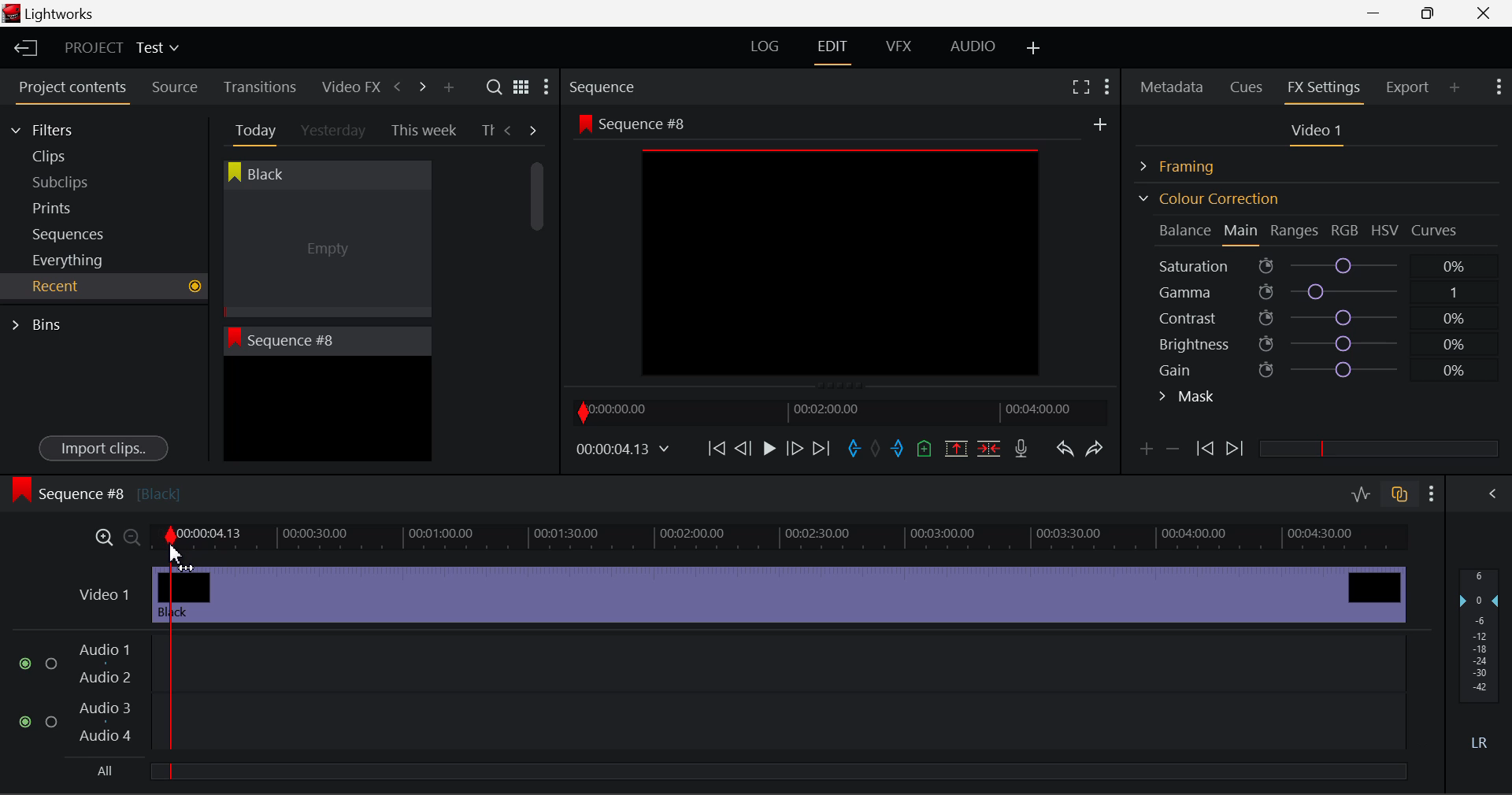 Image resolution: width=1512 pixels, height=795 pixels. What do you see at coordinates (534, 129) in the screenshot?
I see `Next Tab` at bounding box center [534, 129].